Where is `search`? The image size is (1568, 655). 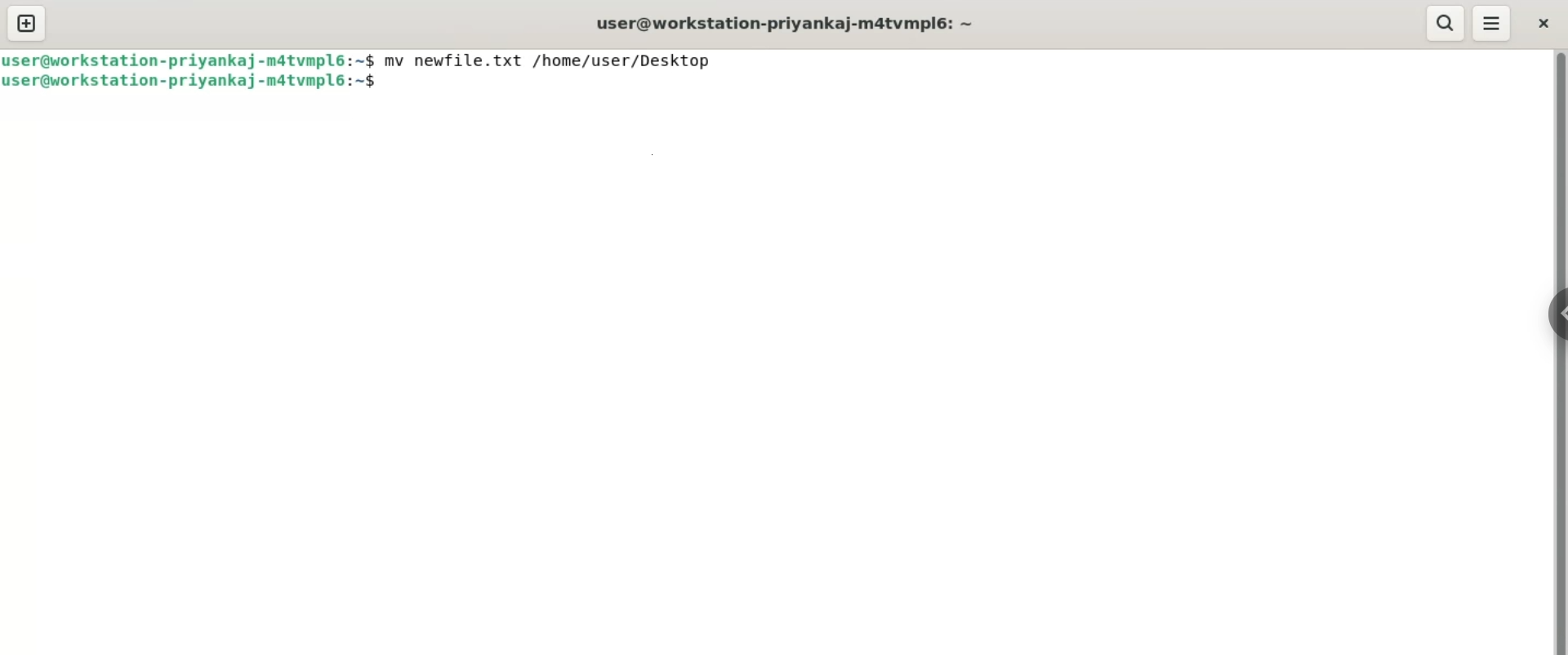 search is located at coordinates (1441, 24).